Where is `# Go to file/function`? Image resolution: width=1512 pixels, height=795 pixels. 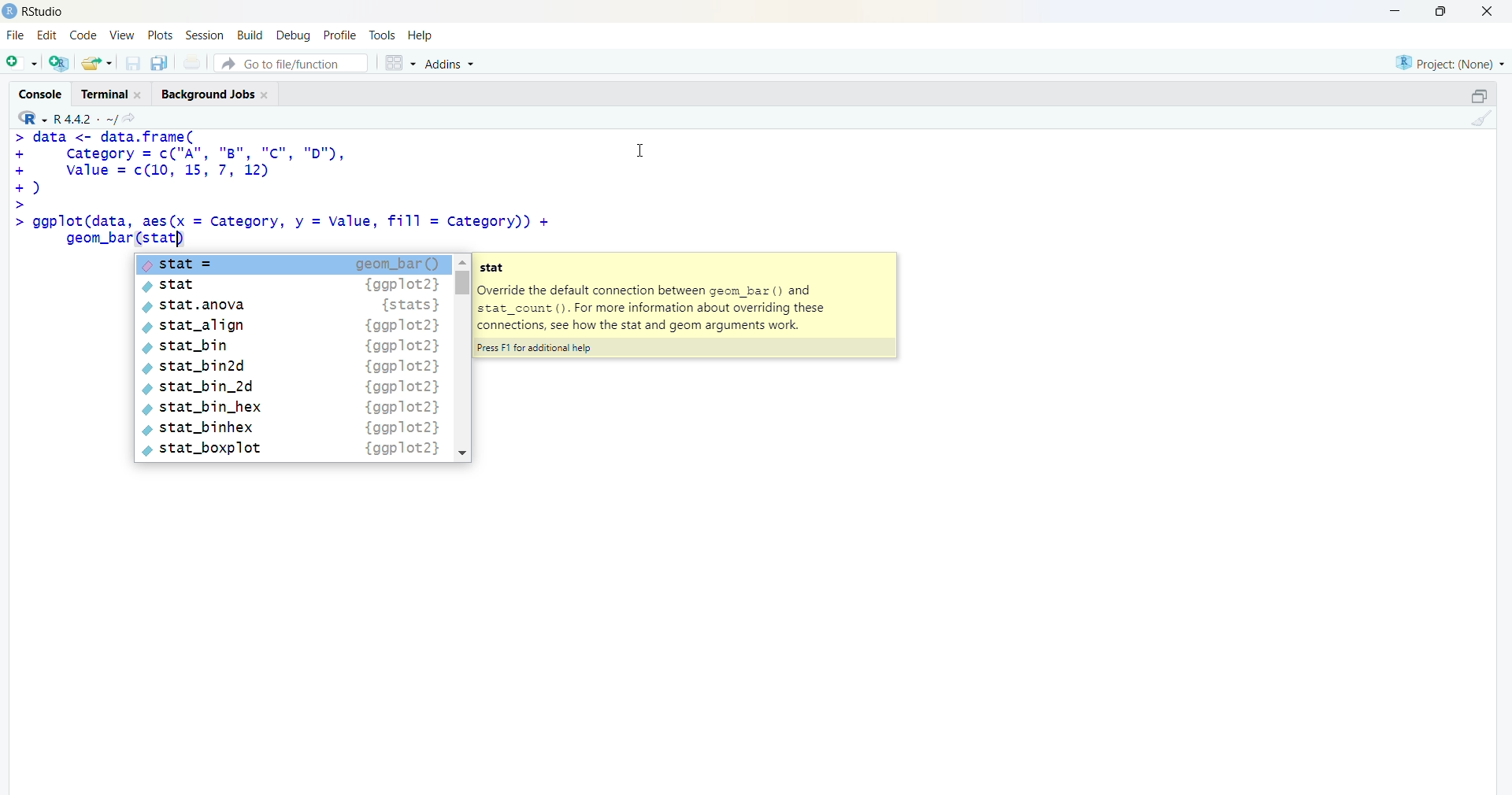
# Go to file/function is located at coordinates (291, 63).